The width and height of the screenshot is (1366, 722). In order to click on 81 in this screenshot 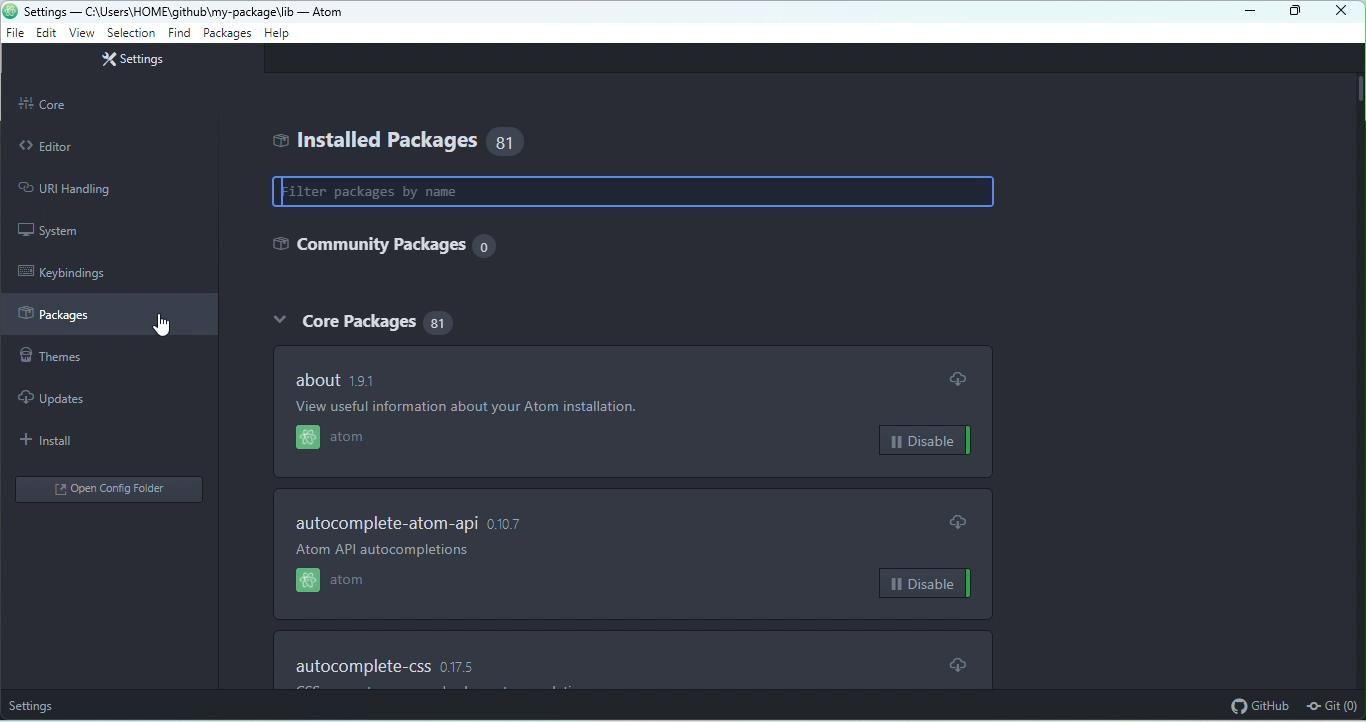, I will do `click(441, 321)`.